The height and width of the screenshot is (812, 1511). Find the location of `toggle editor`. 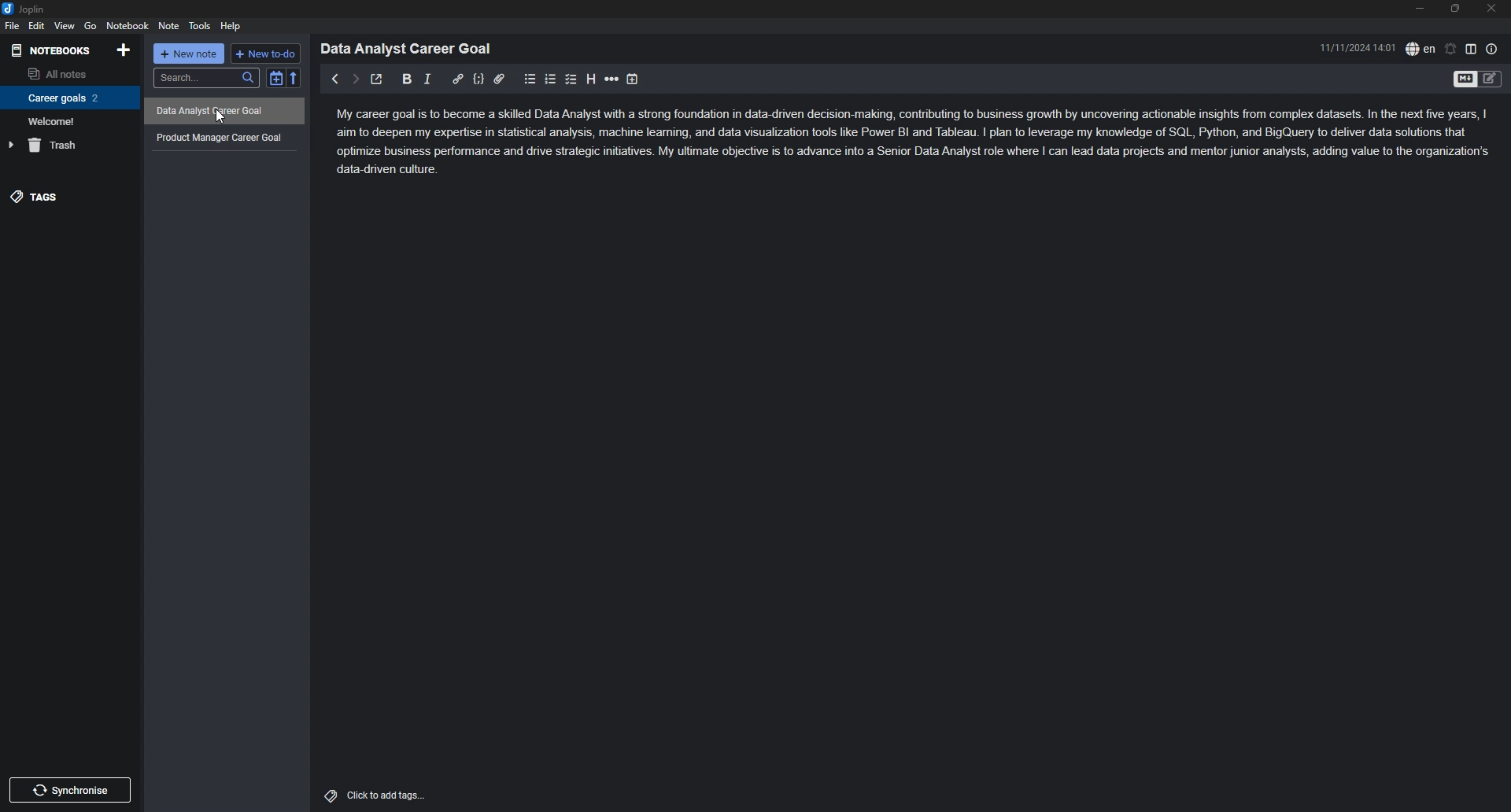

toggle editor is located at coordinates (1464, 80).